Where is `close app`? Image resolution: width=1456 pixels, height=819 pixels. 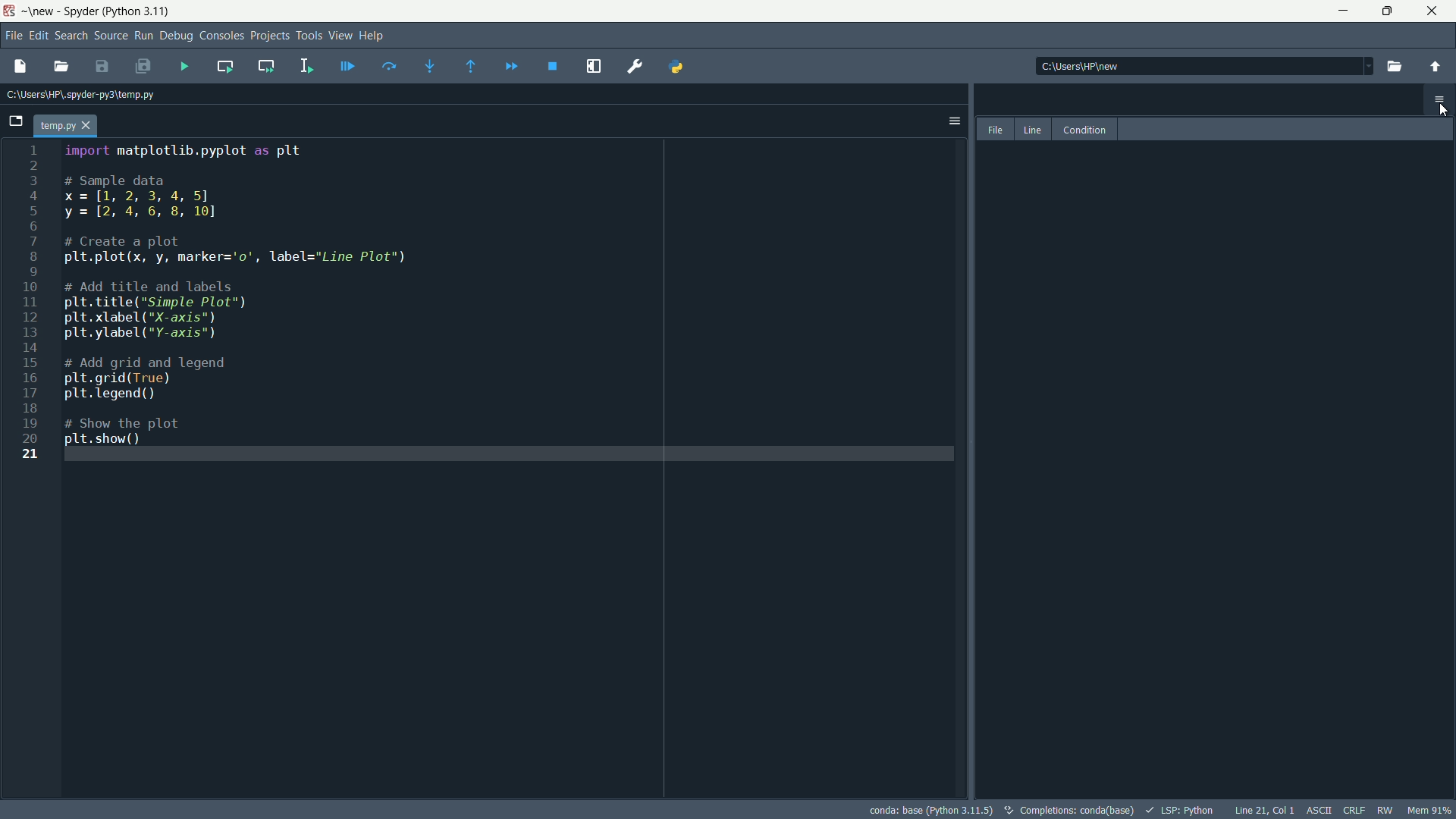
close app is located at coordinates (1388, 11).